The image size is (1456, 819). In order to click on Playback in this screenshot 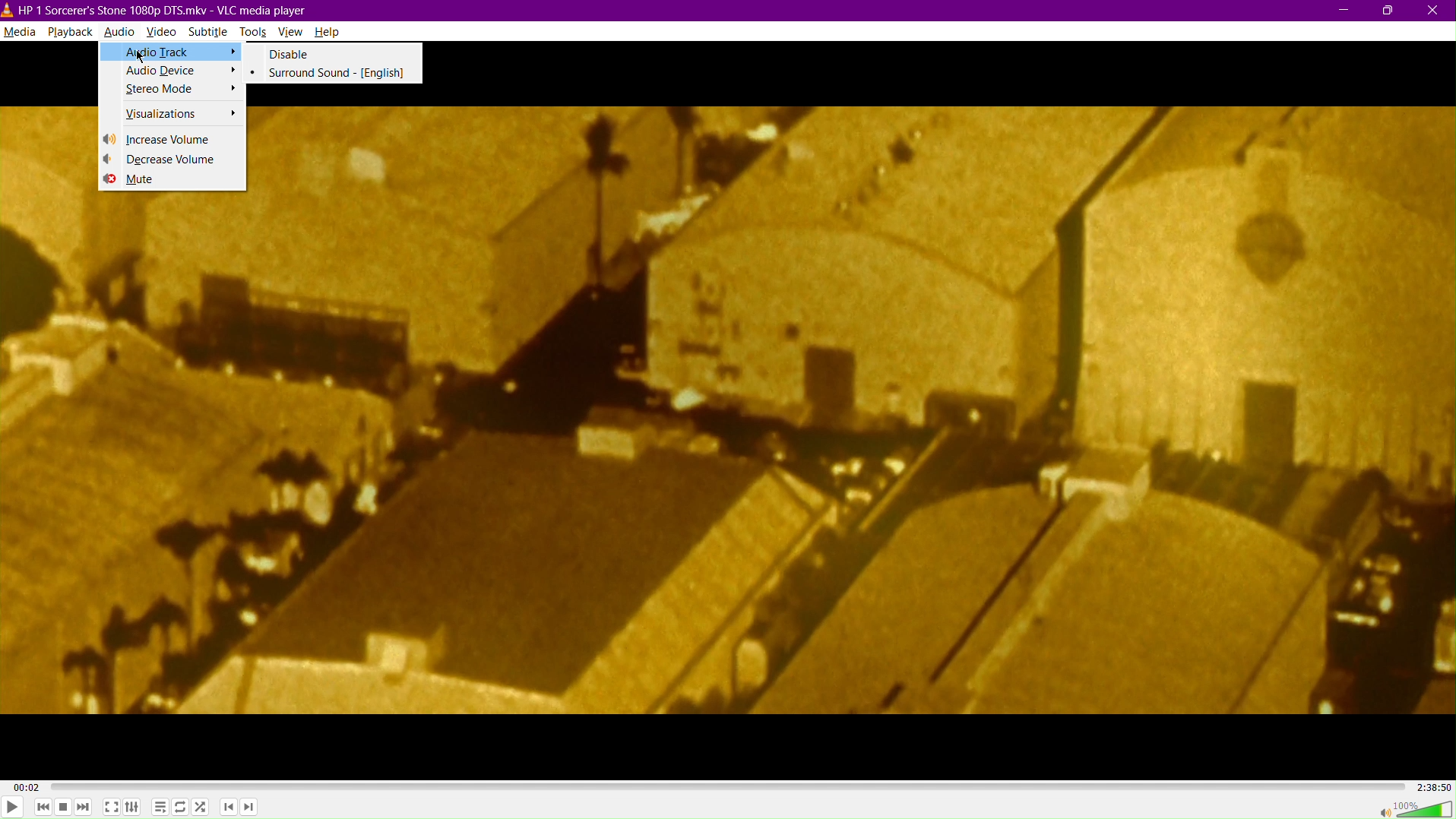, I will do `click(70, 32)`.